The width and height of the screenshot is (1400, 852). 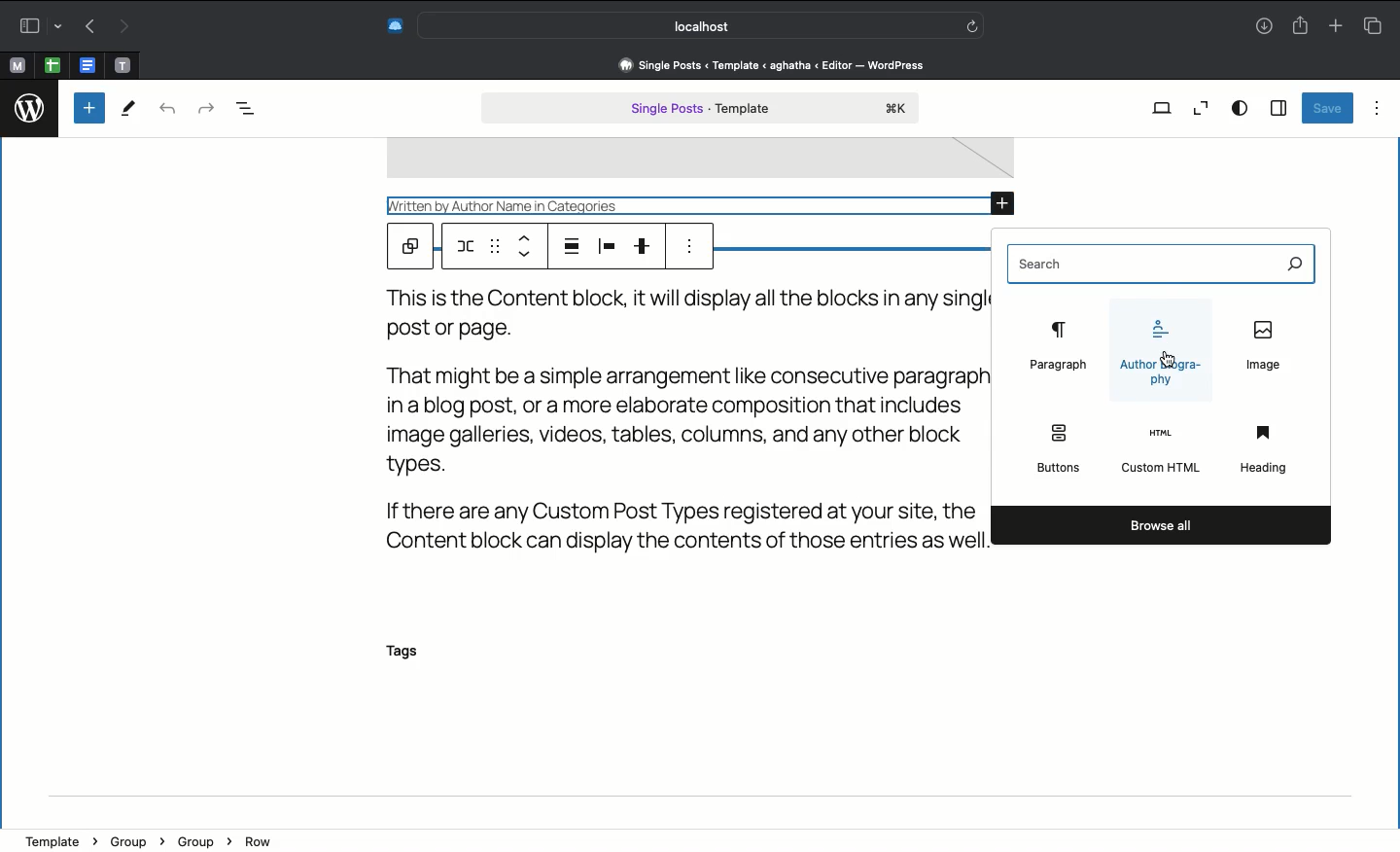 What do you see at coordinates (89, 27) in the screenshot?
I see `Back` at bounding box center [89, 27].